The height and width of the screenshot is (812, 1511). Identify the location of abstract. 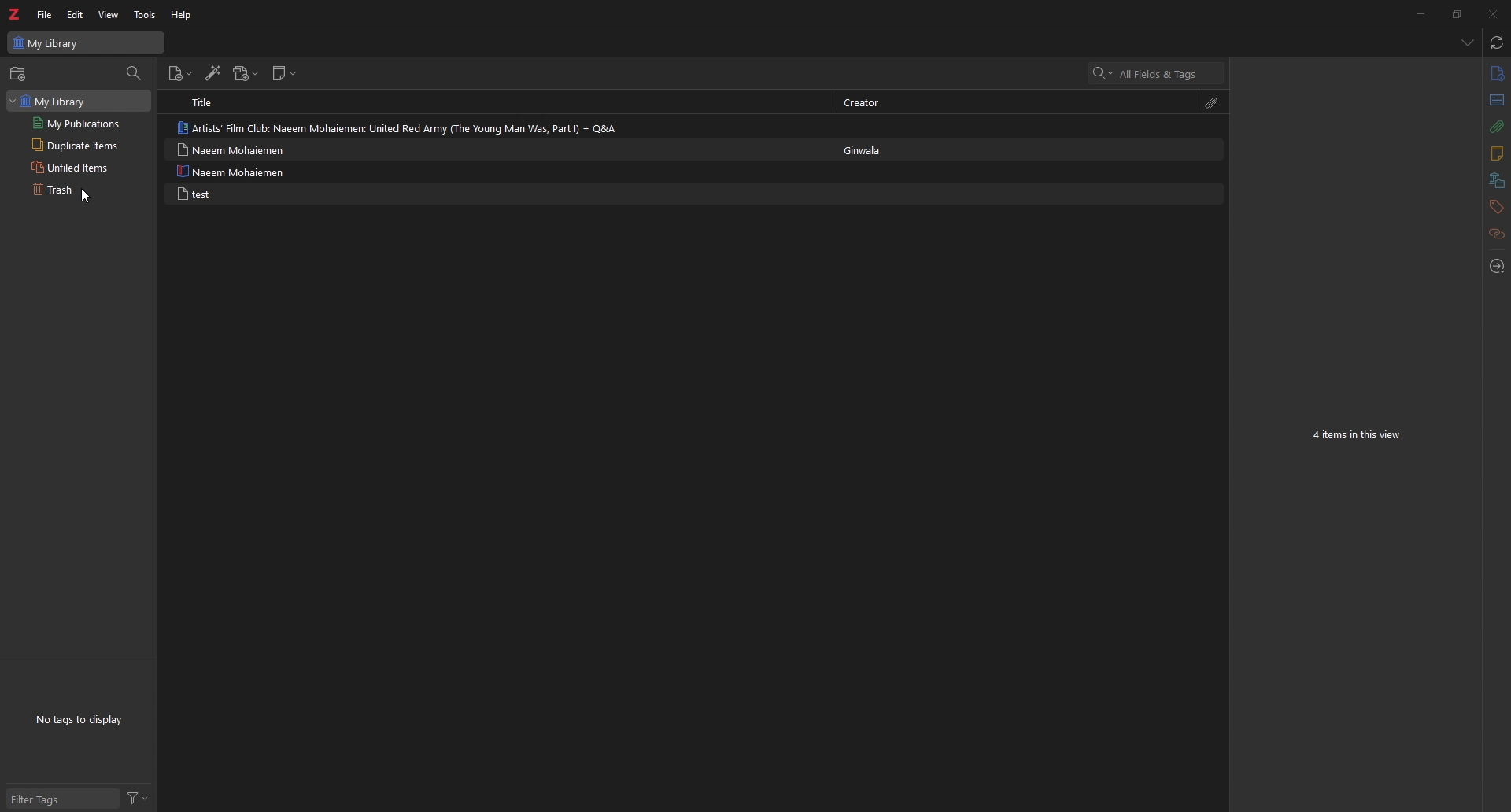
(1495, 101).